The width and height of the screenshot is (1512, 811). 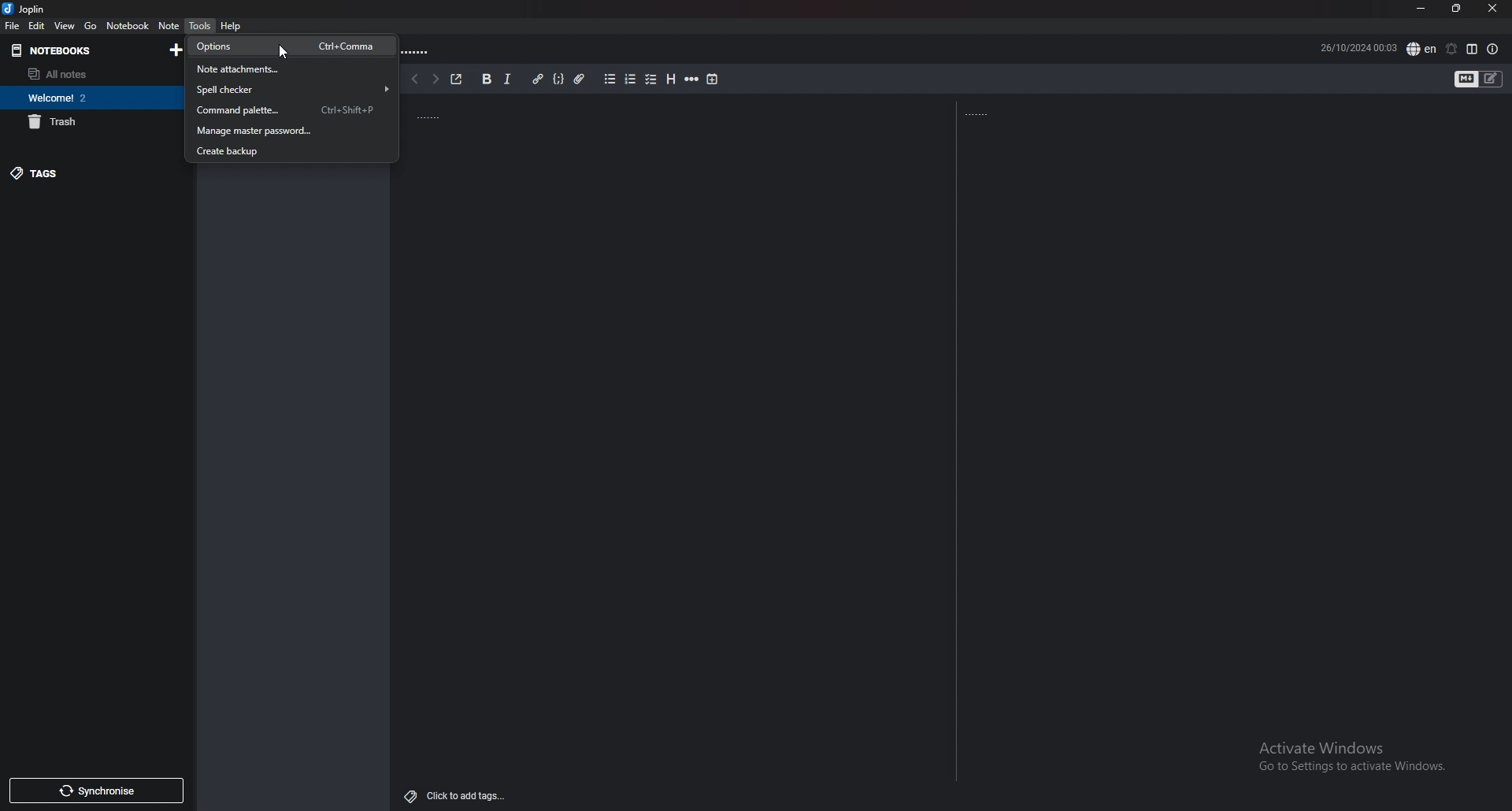 I want to click on close, so click(x=1492, y=9).